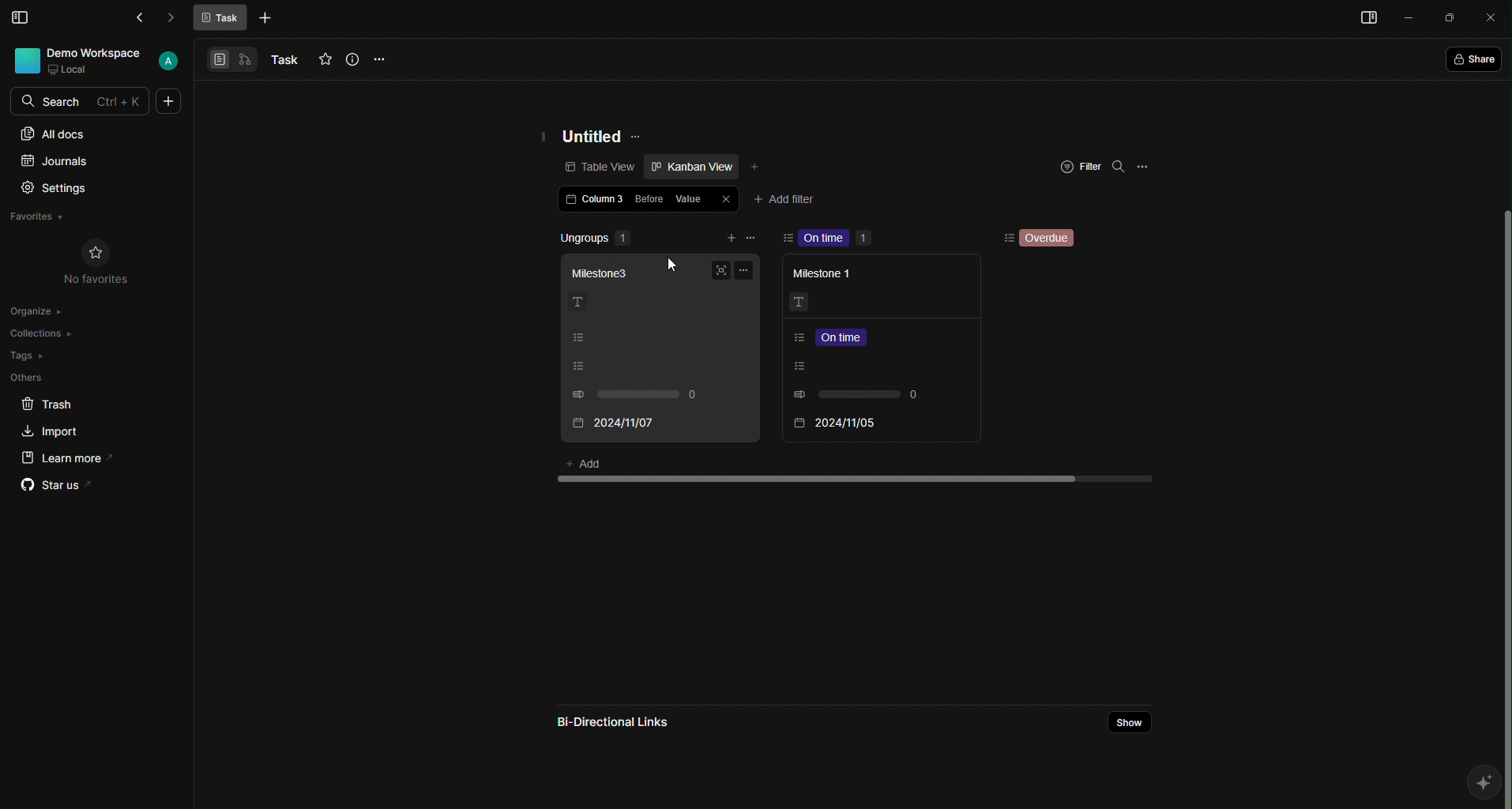 The image size is (1512, 809). Describe the element at coordinates (1079, 164) in the screenshot. I see `Filter` at that location.